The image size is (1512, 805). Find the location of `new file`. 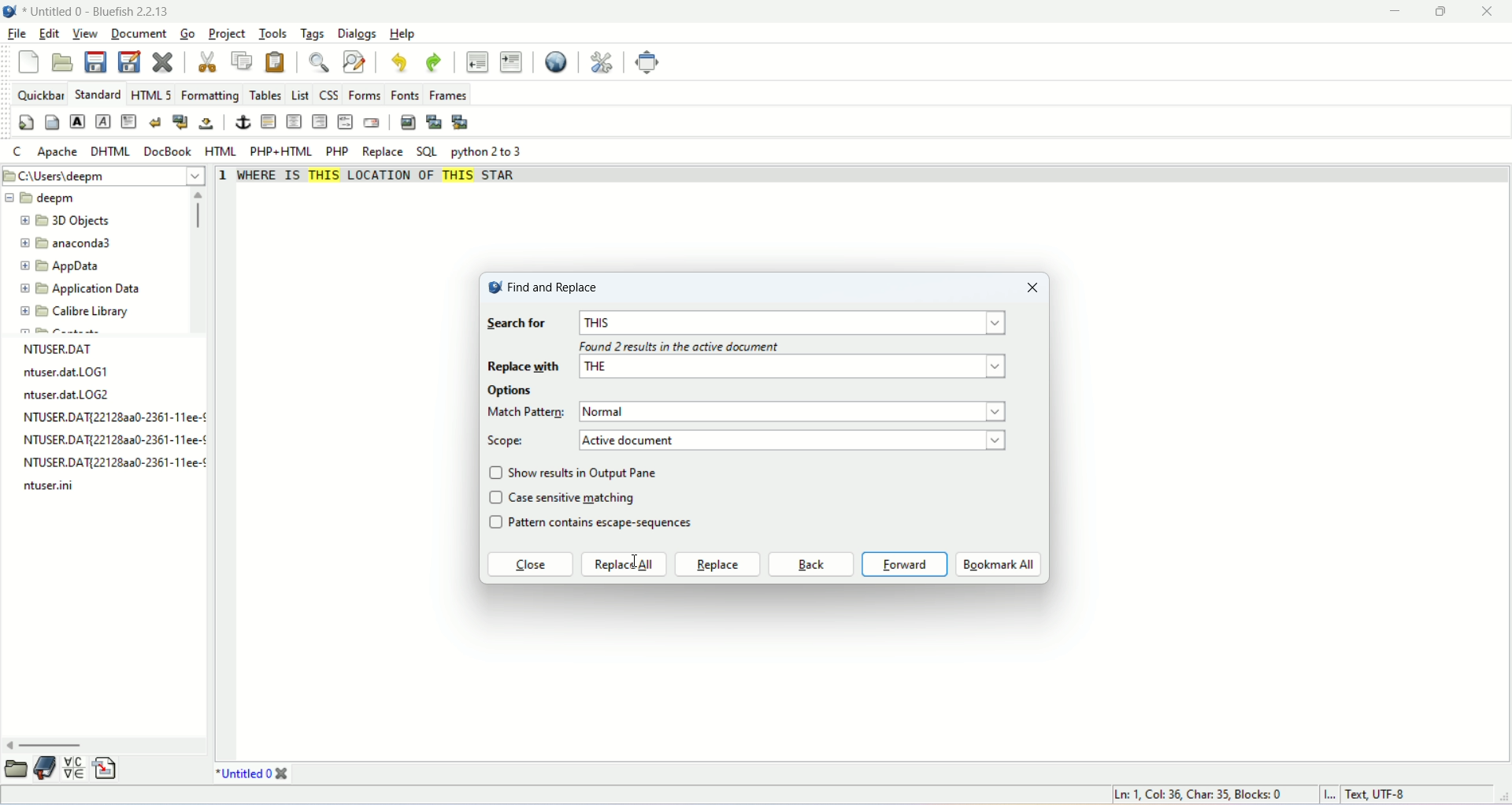

new file is located at coordinates (31, 62).